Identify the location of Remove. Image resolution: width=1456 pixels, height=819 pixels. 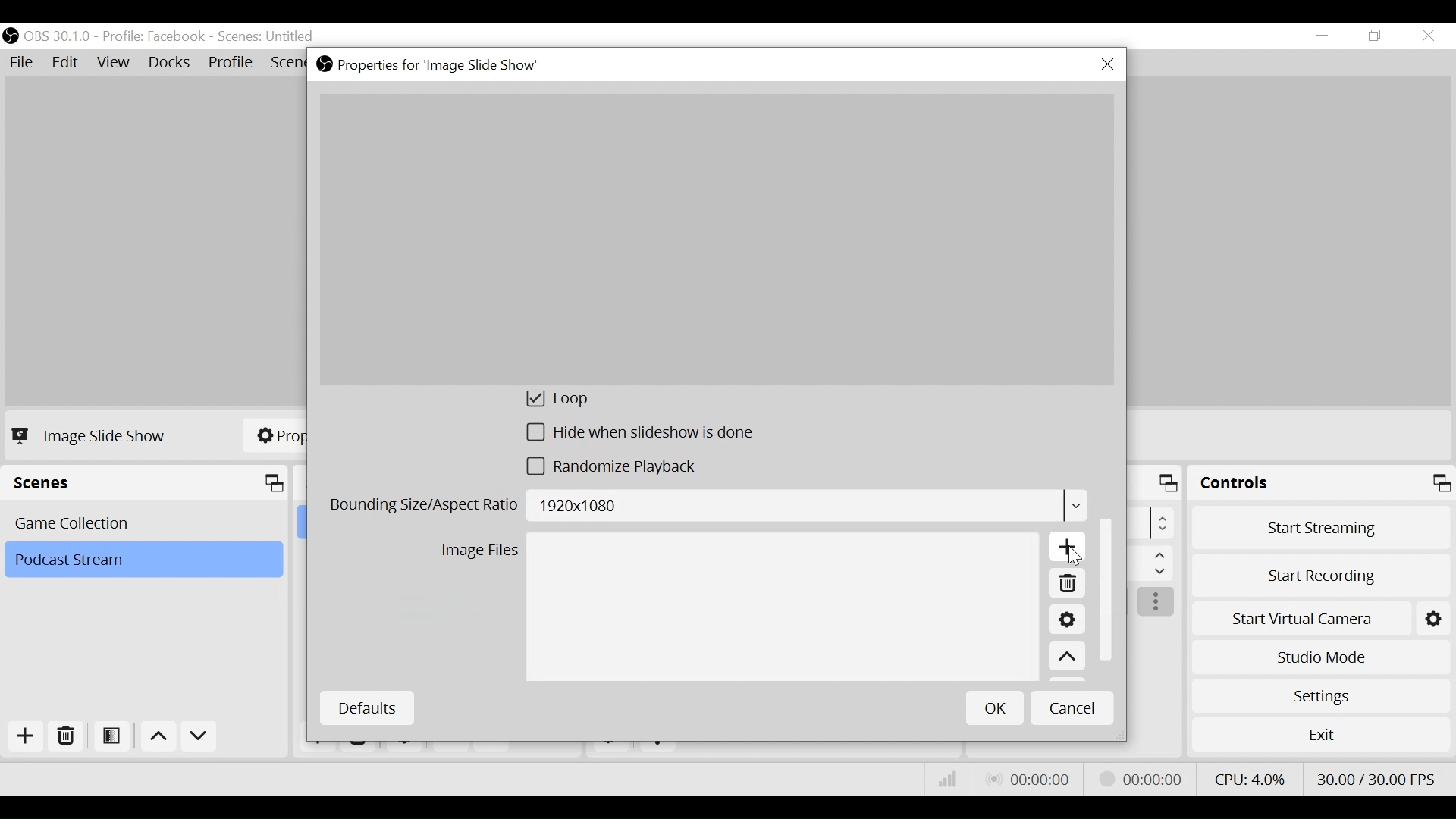
(67, 737).